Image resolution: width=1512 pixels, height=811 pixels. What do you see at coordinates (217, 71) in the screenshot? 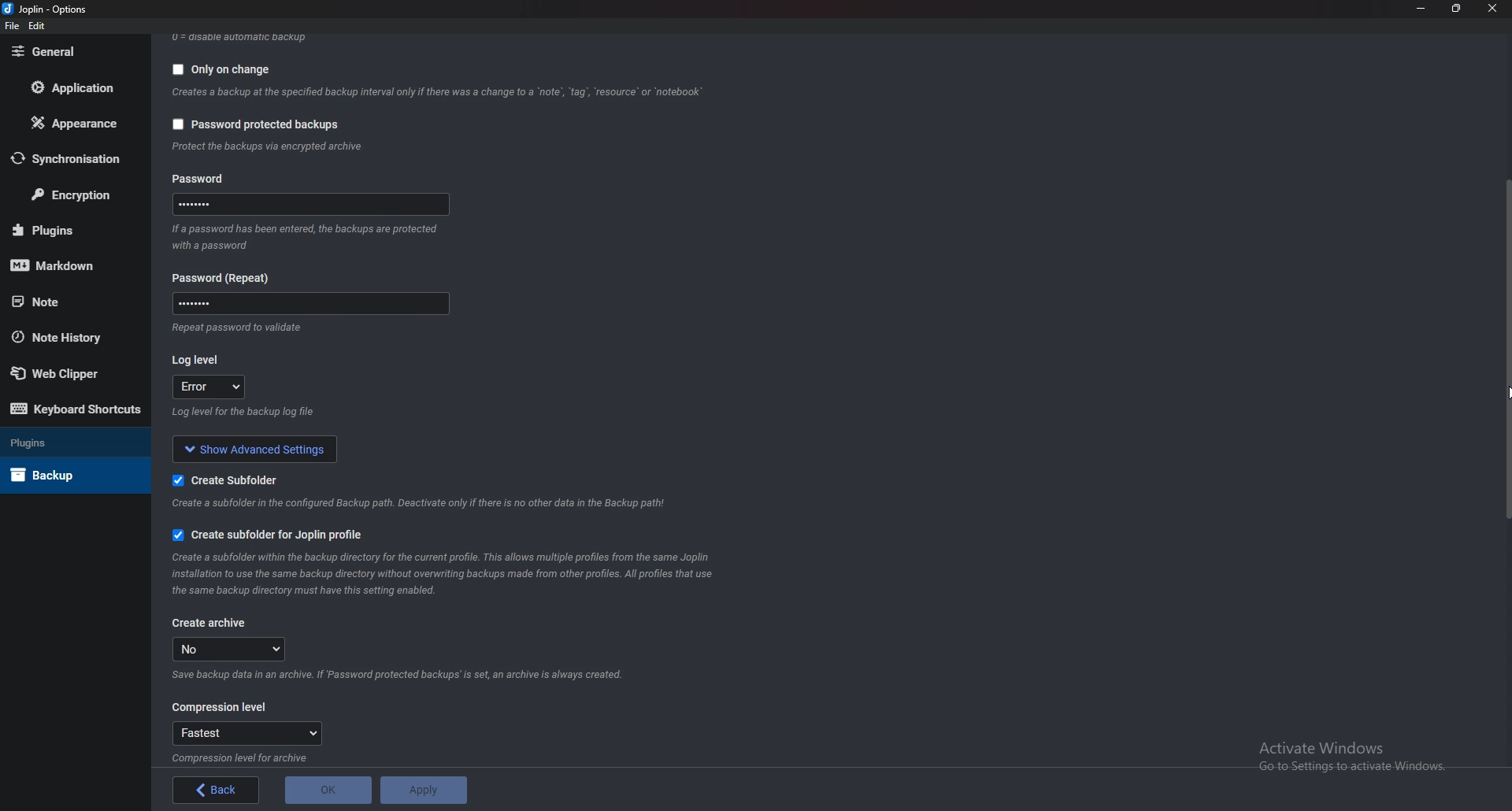
I see `Only on change` at bounding box center [217, 71].